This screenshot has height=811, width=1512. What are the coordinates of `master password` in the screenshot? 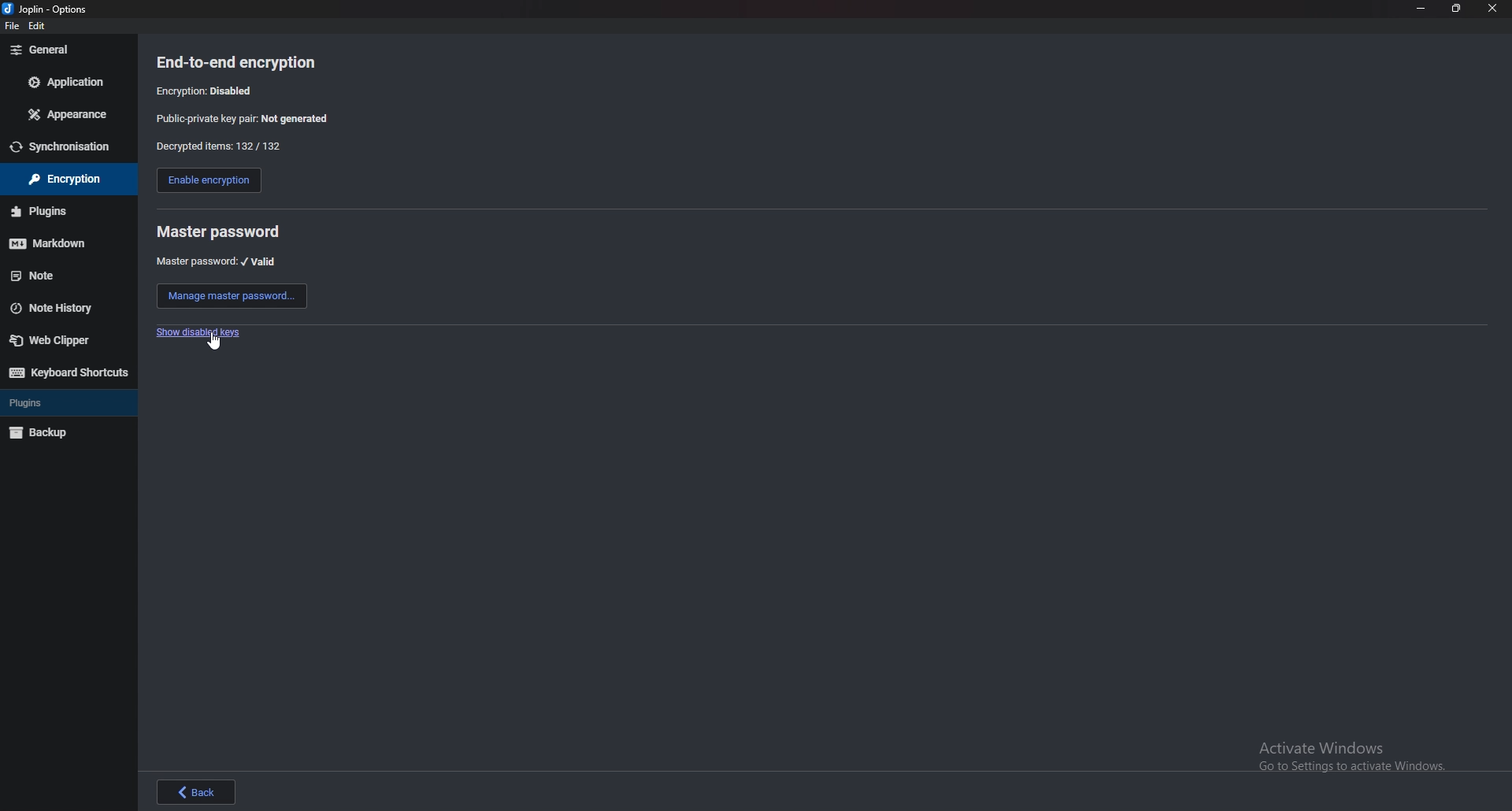 It's located at (222, 232).